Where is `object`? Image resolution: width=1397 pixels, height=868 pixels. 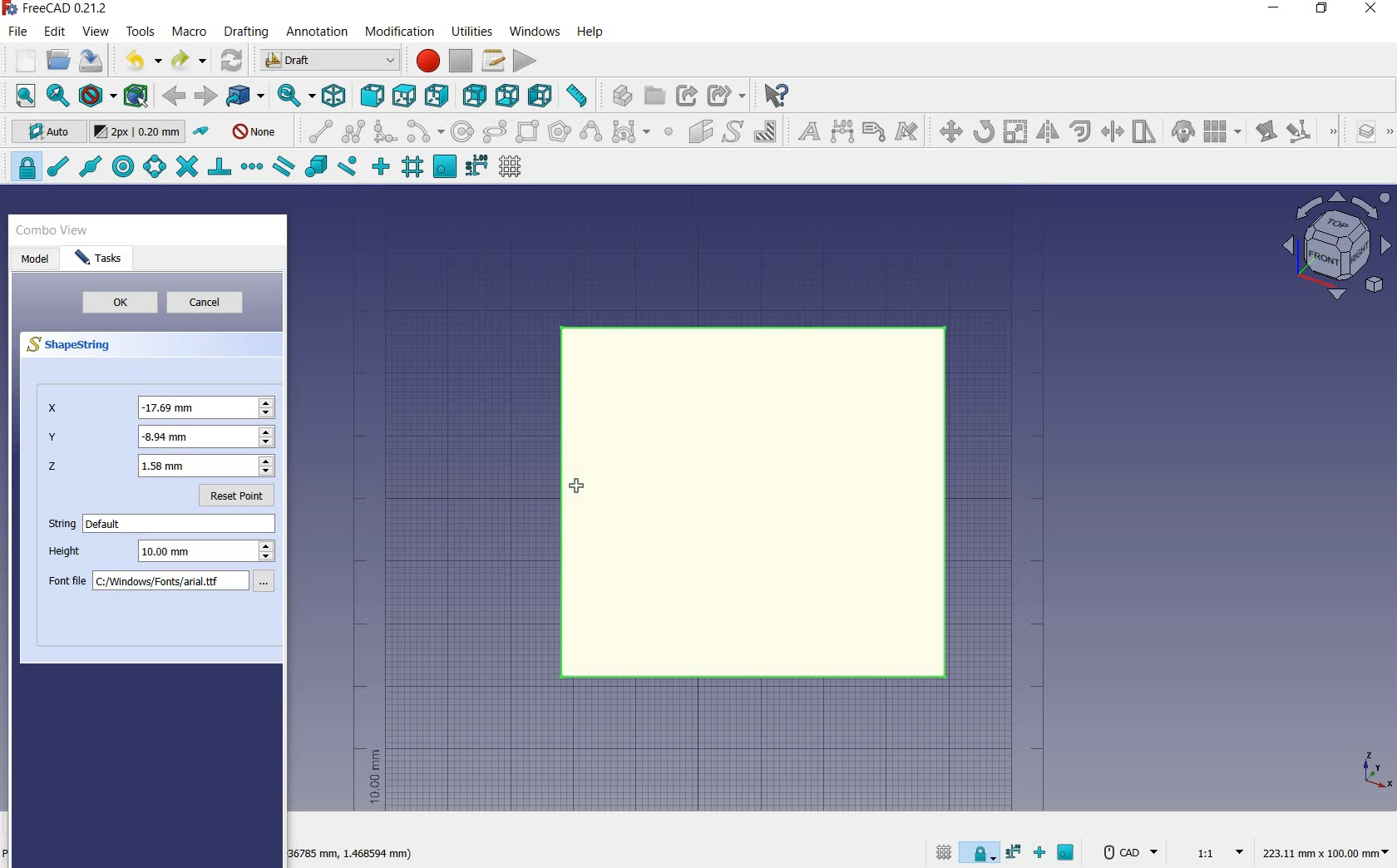 object is located at coordinates (754, 502).